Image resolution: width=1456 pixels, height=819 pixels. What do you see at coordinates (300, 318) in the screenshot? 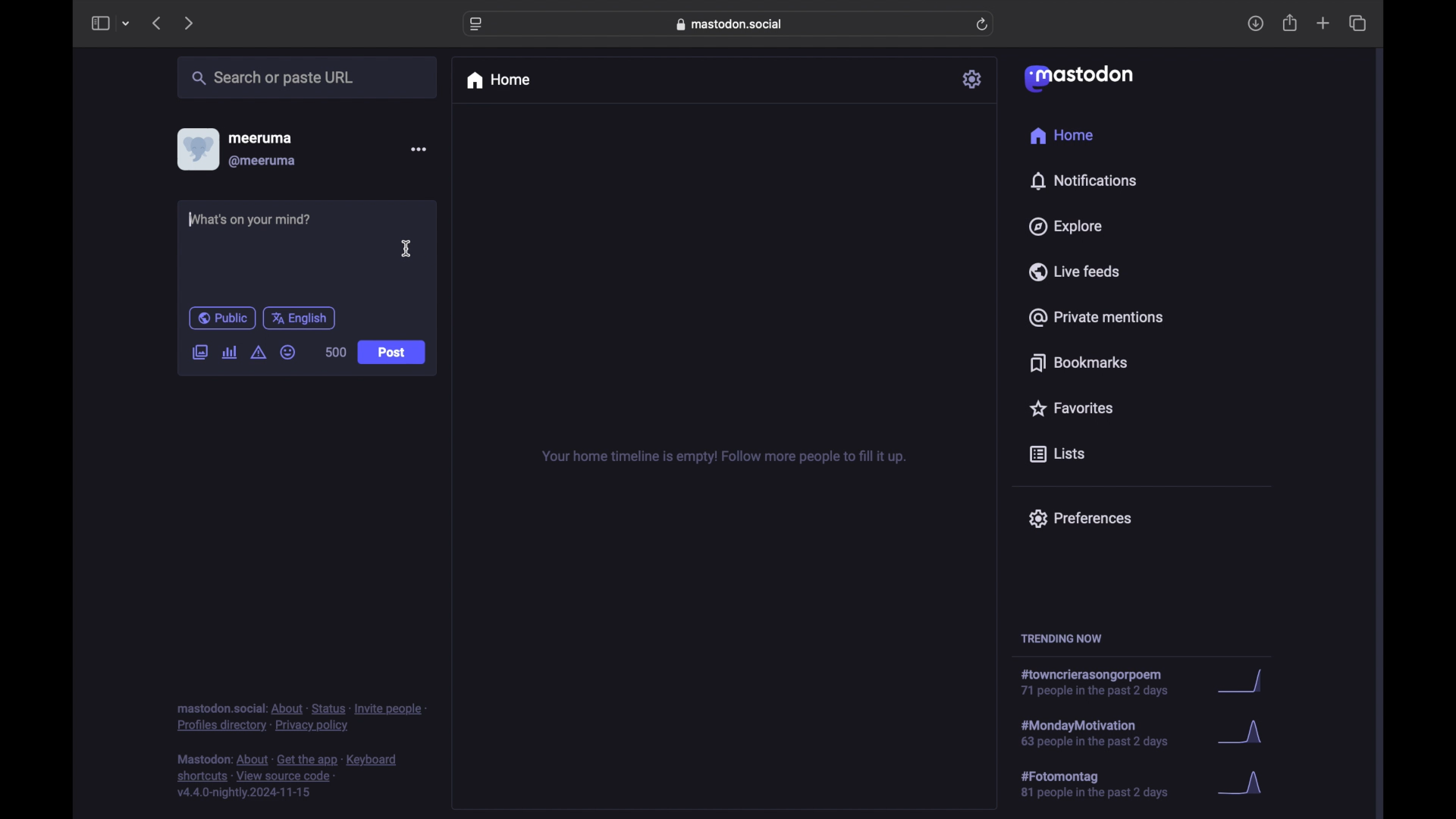
I see `english` at bounding box center [300, 318].